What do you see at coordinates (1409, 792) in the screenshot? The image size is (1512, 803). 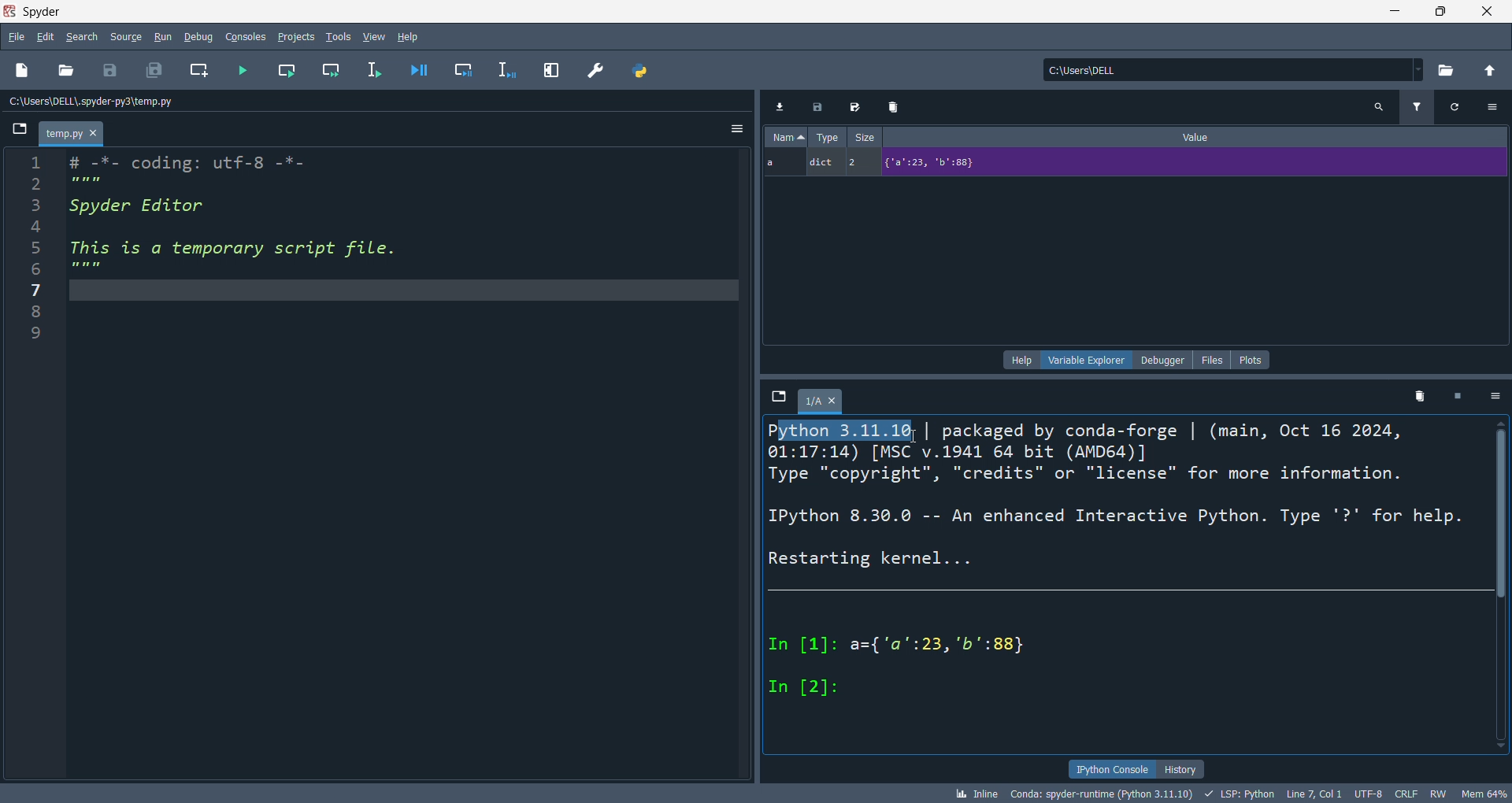 I see `CRLF` at bounding box center [1409, 792].